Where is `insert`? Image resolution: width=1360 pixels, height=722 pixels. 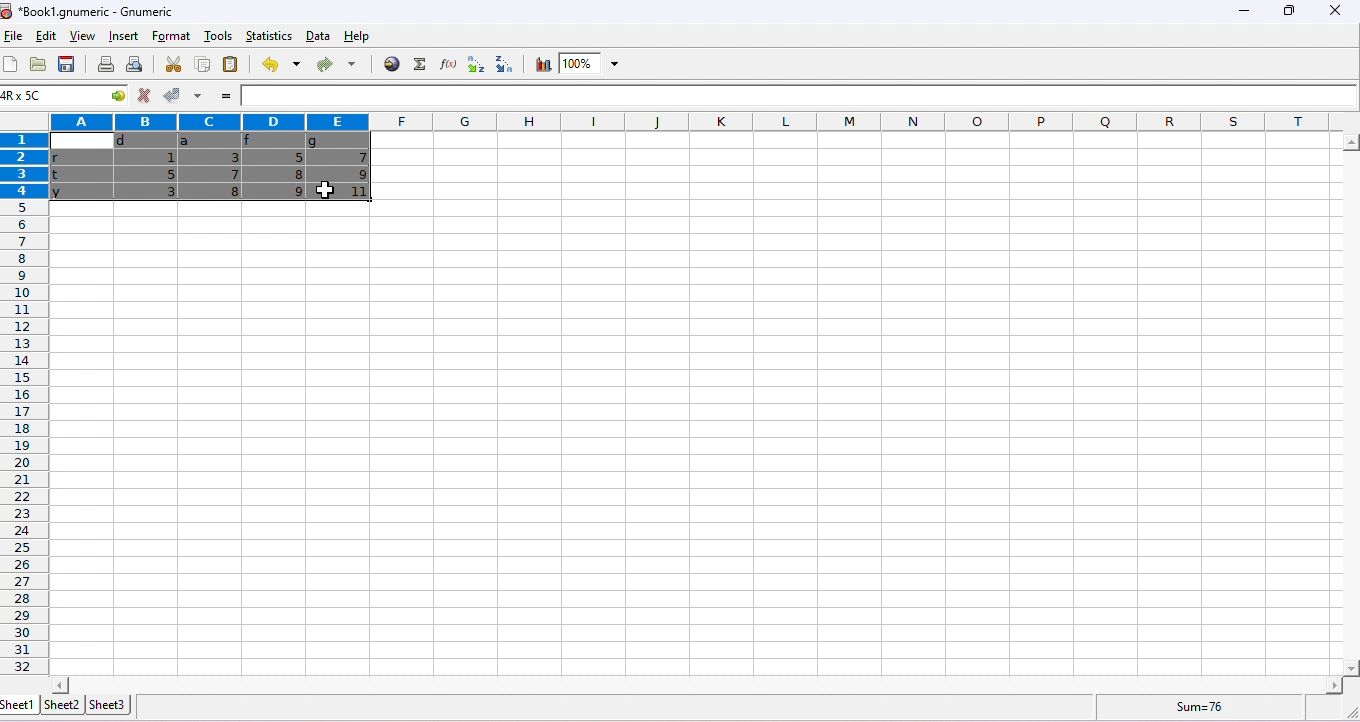
insert is located at coordinates (121, 36).